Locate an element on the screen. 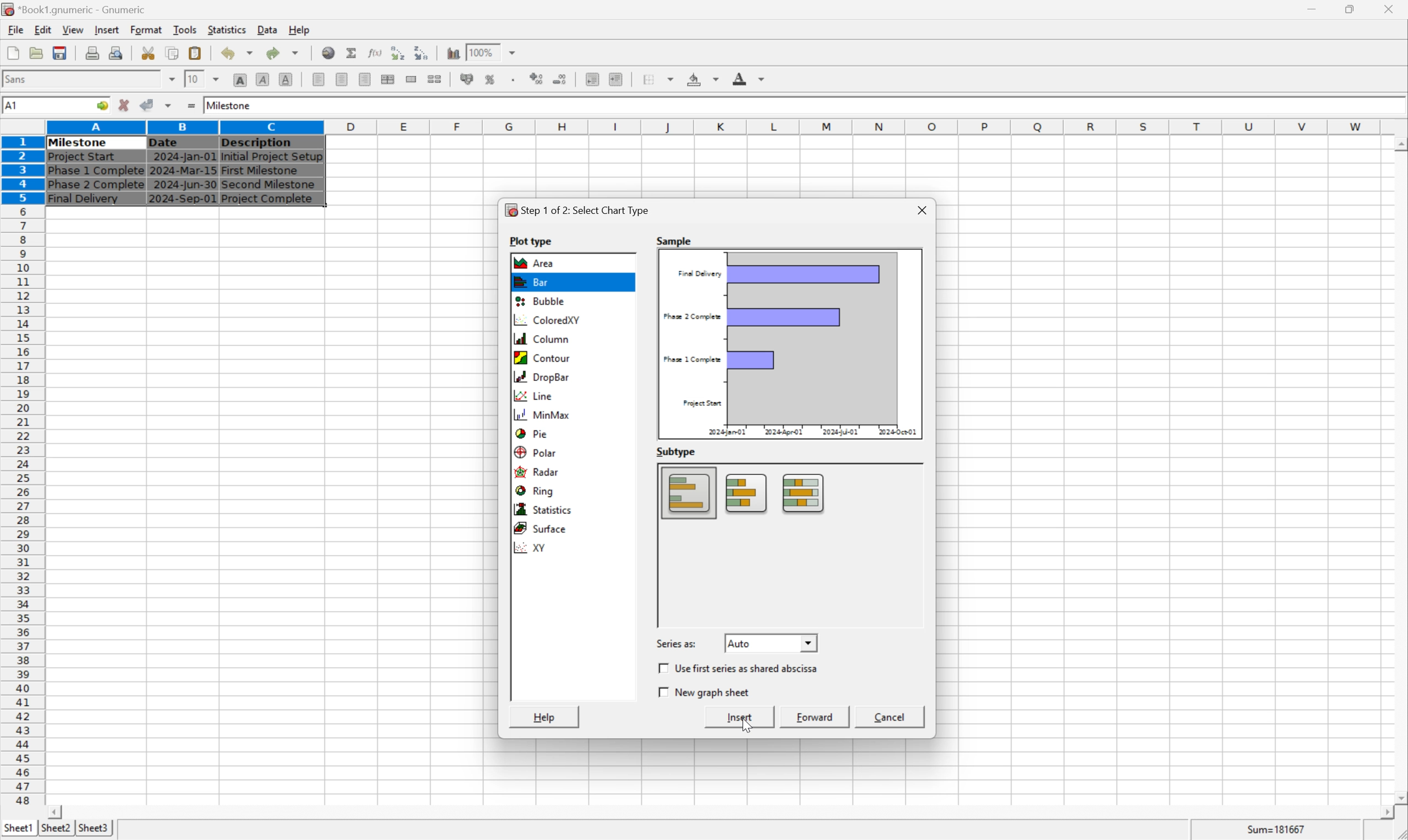  edit function in current cell is located at coordinates (374, 52).